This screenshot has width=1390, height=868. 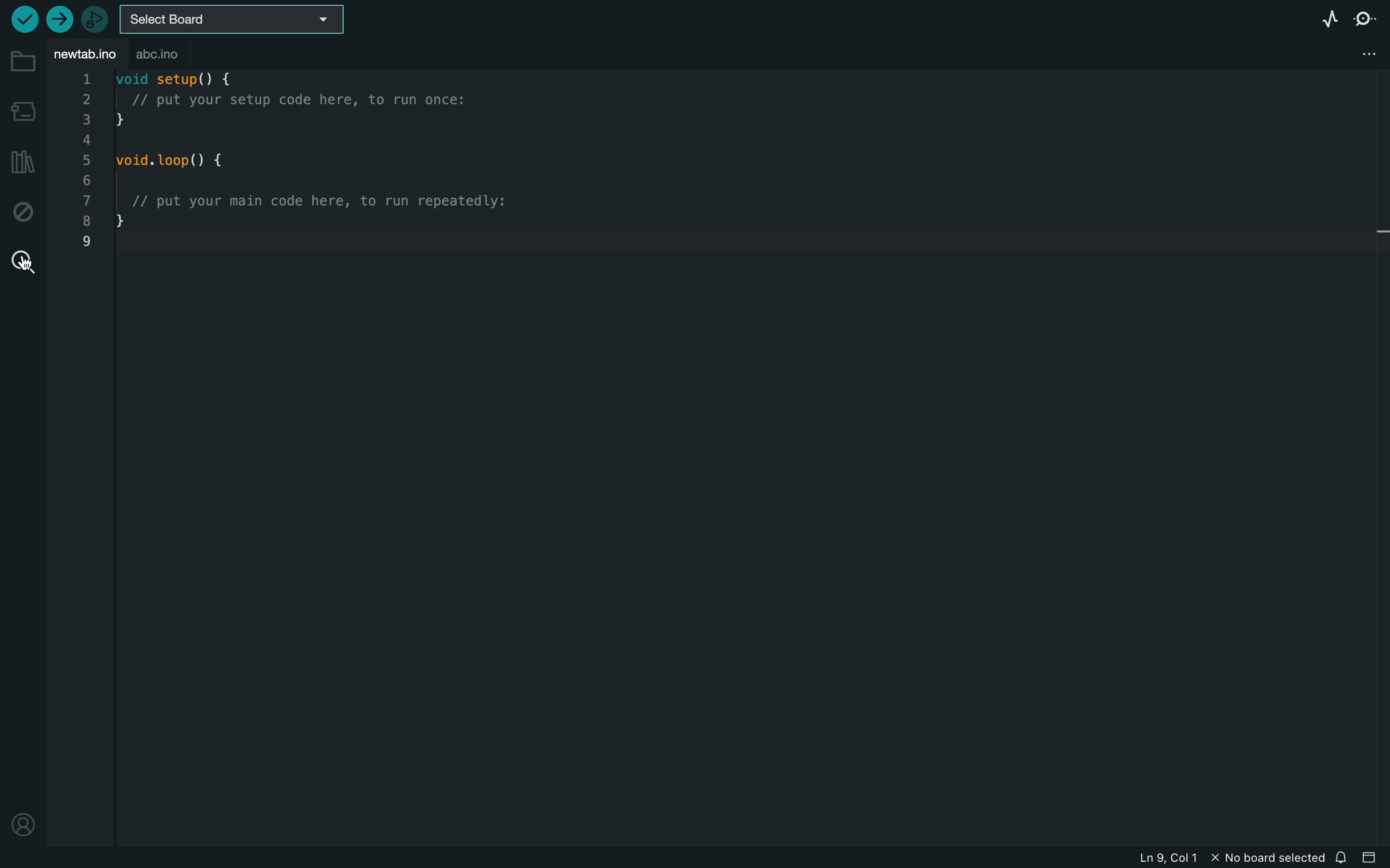 What do you see at coordinates (337, 167) in the screenshot?
I see `code` at bounding box center [337, 167].